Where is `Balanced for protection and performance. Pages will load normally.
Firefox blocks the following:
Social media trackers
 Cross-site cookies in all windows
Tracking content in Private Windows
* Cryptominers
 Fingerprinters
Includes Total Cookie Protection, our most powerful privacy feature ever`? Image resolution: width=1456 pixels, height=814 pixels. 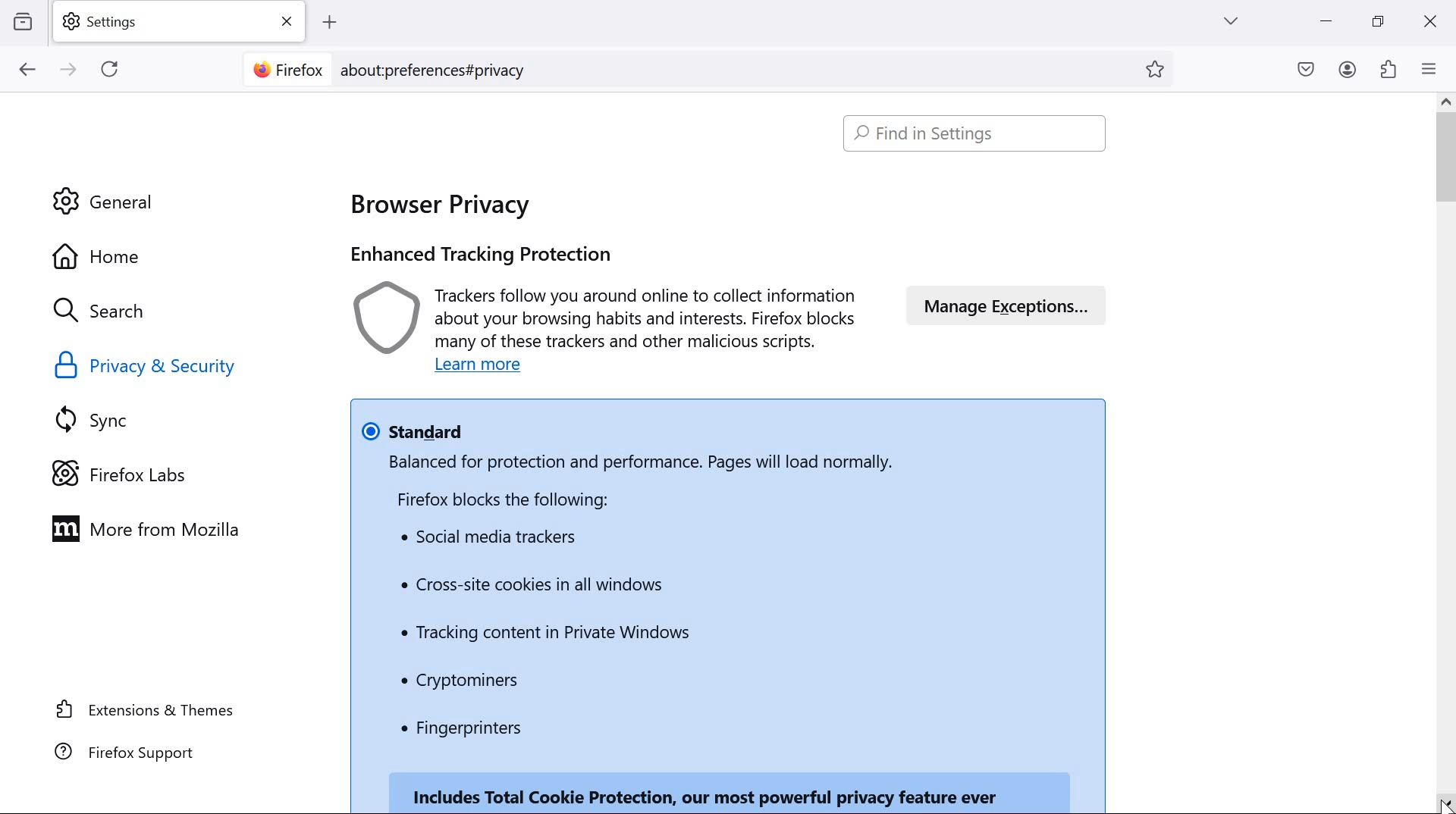
Balanced for protection and performance. Pages will load normally.
Firefox blocks the following:
Social media trackers
 Cross-site cookies in all windows
Tracking content in Private Windows
* Cryptominers
 Fingerprinters
Includes Total Cookie Protection, our most powerful privacy feature ever is located at coordinates (717, 631).